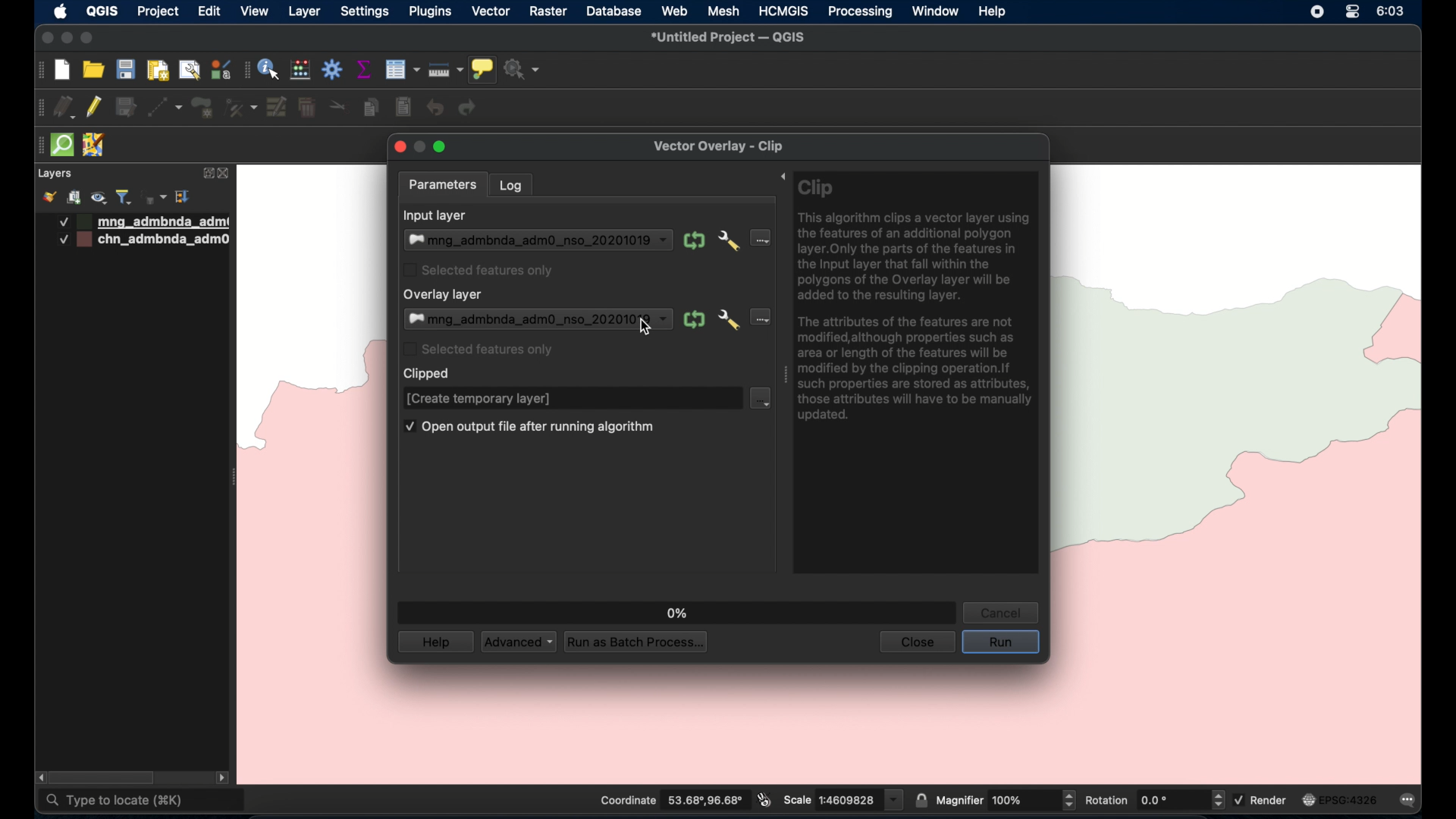 The image size is (1456, 819). Describe the element at coordinates (761, 399) in the screenshot. I see `clipped dropdown menu` at that location.